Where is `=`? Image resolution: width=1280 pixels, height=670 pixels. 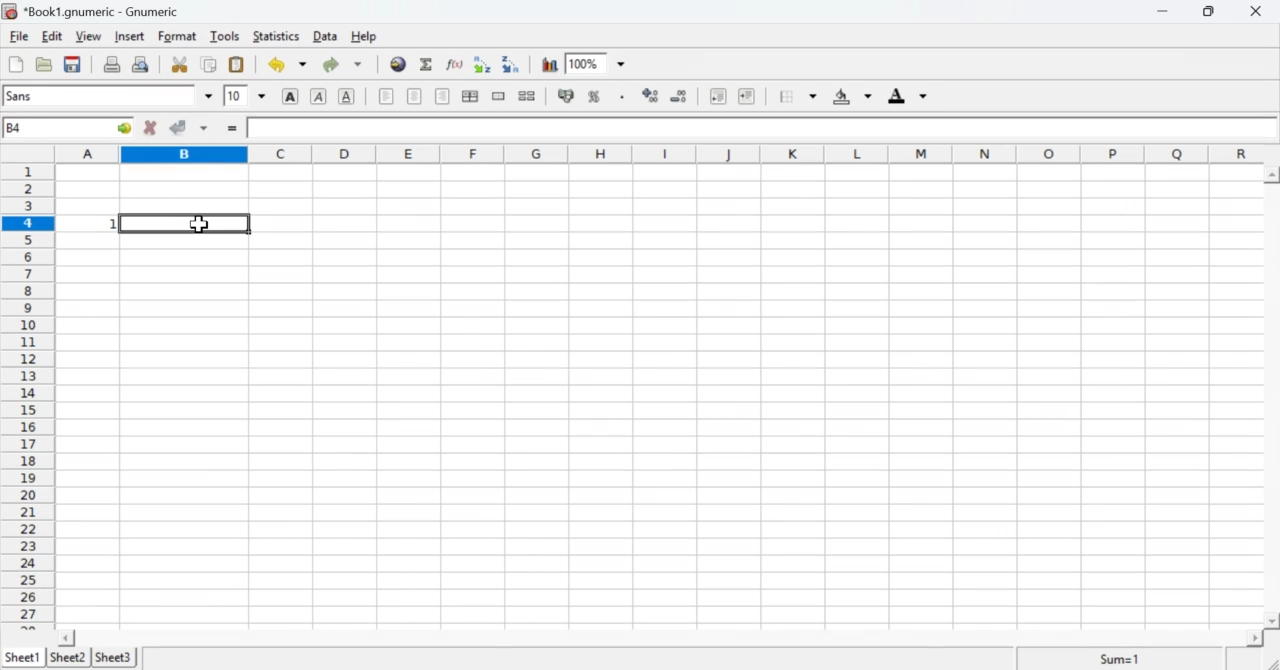
= is located at coordinates (231, 130).